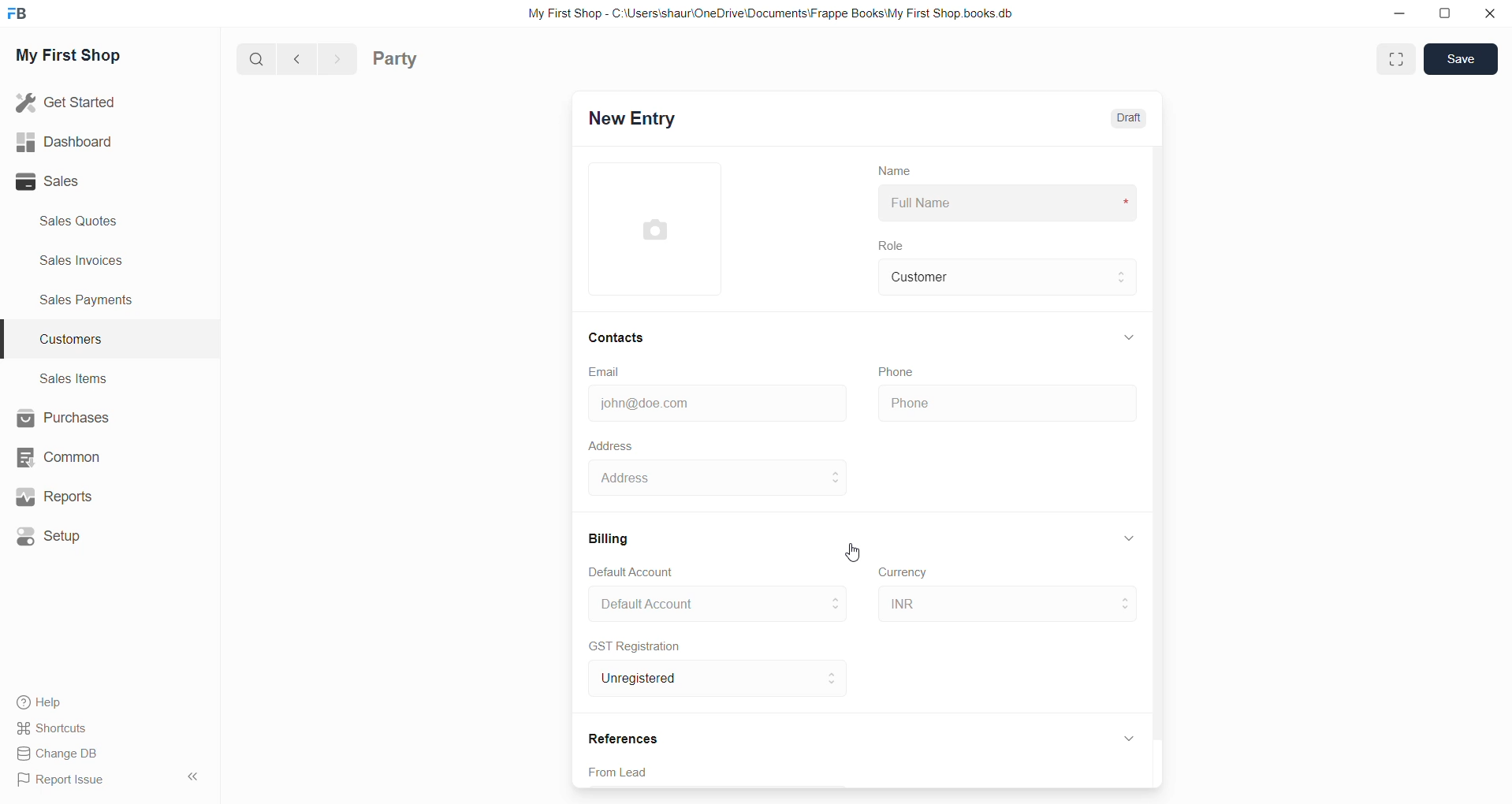  I want to click on Report Issue, so click(61, 779).